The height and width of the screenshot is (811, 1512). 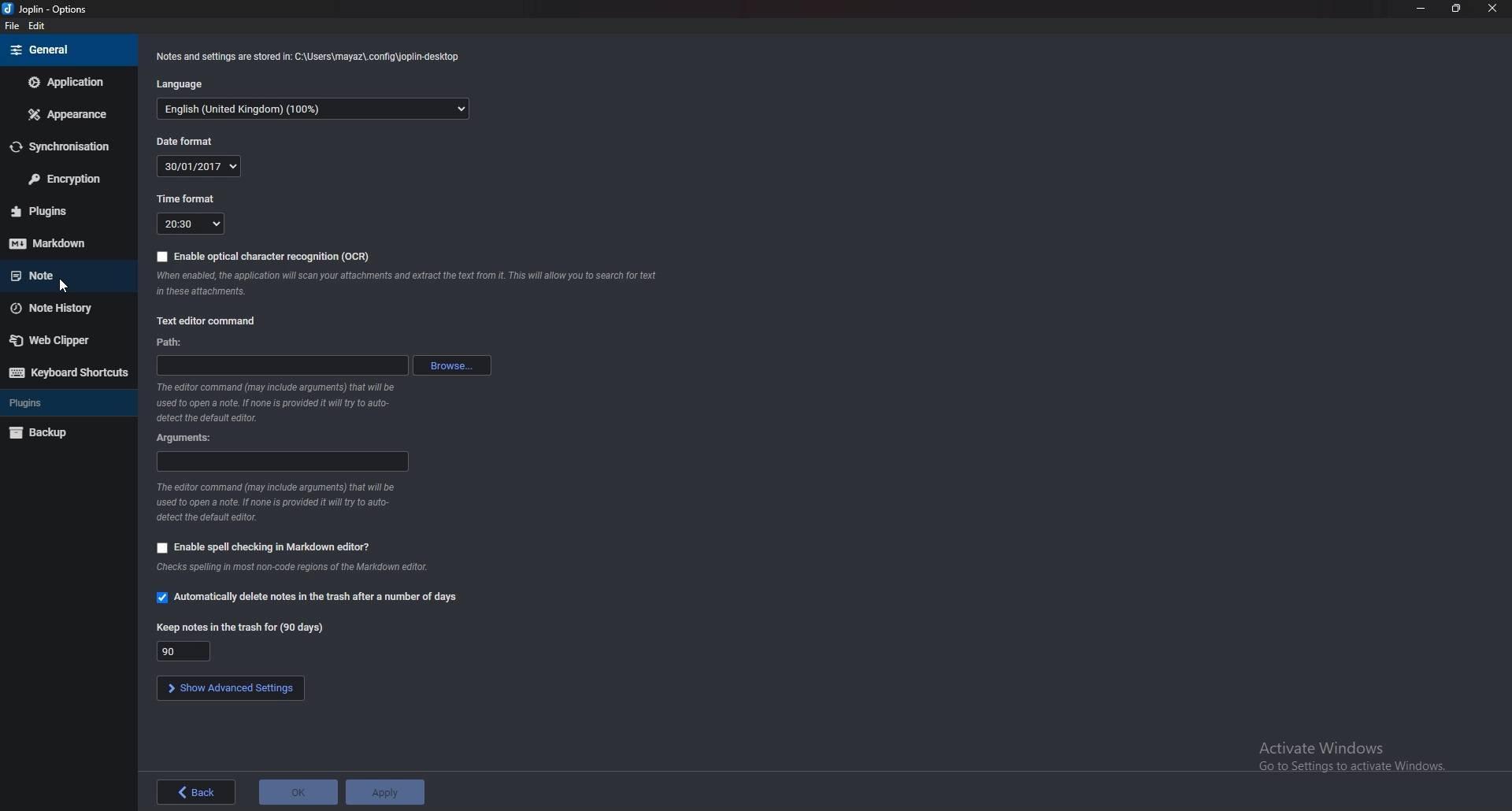 What do you see at coordinates (1492, 8) in the screenshot?
I see `close` at bounding box center [1492, 8].